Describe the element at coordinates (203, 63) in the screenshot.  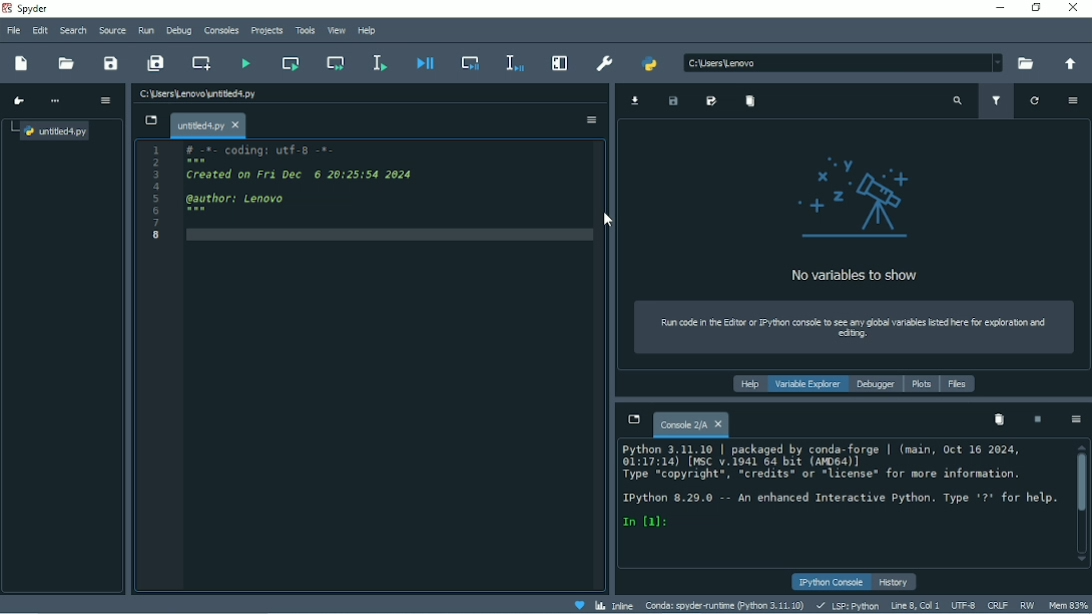
I see `Create new cell at the current line` at that location.